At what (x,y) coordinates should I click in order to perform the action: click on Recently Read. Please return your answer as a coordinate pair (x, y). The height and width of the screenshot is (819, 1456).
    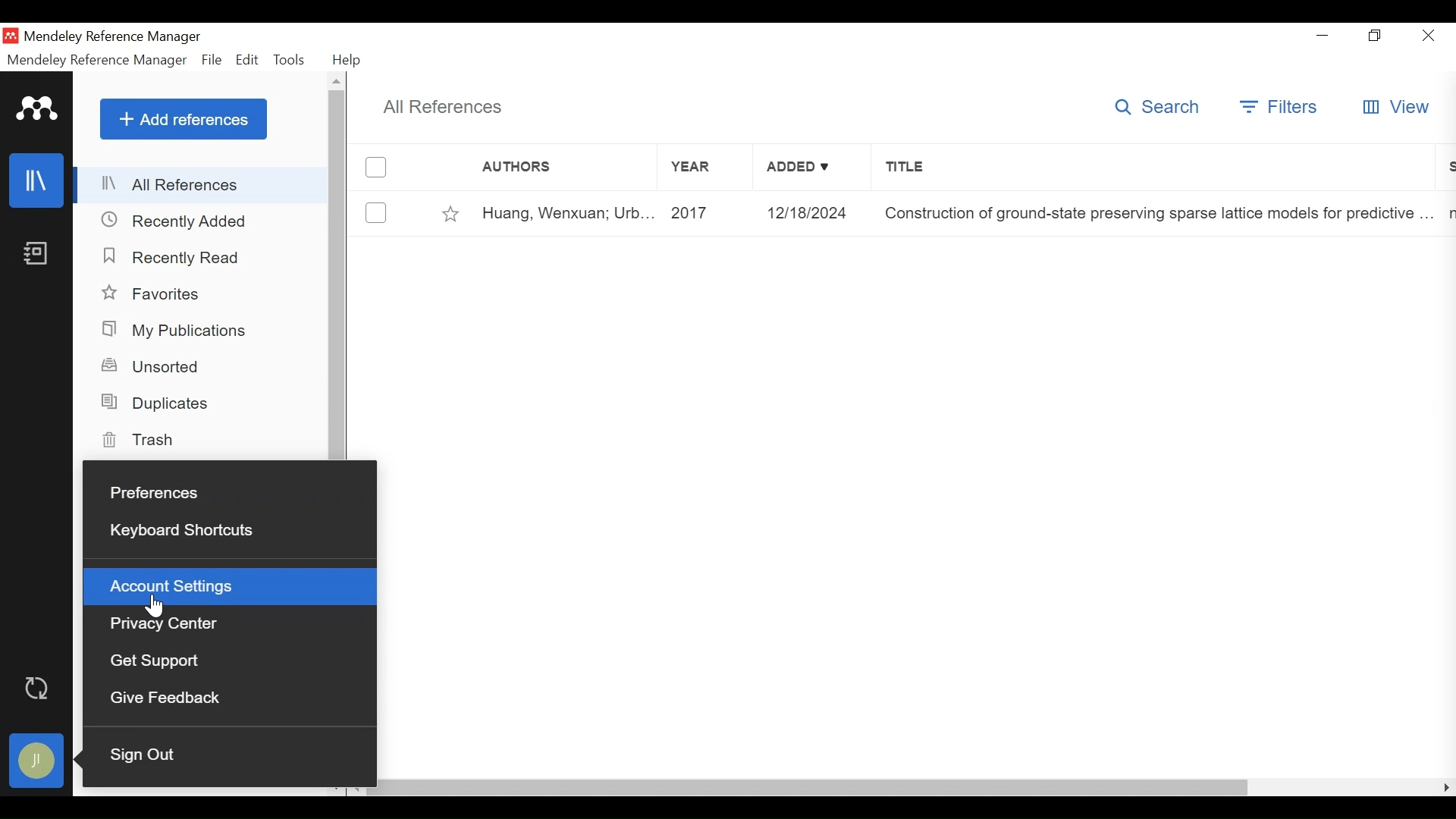
    Looking at the image, I should click on (174, 257).